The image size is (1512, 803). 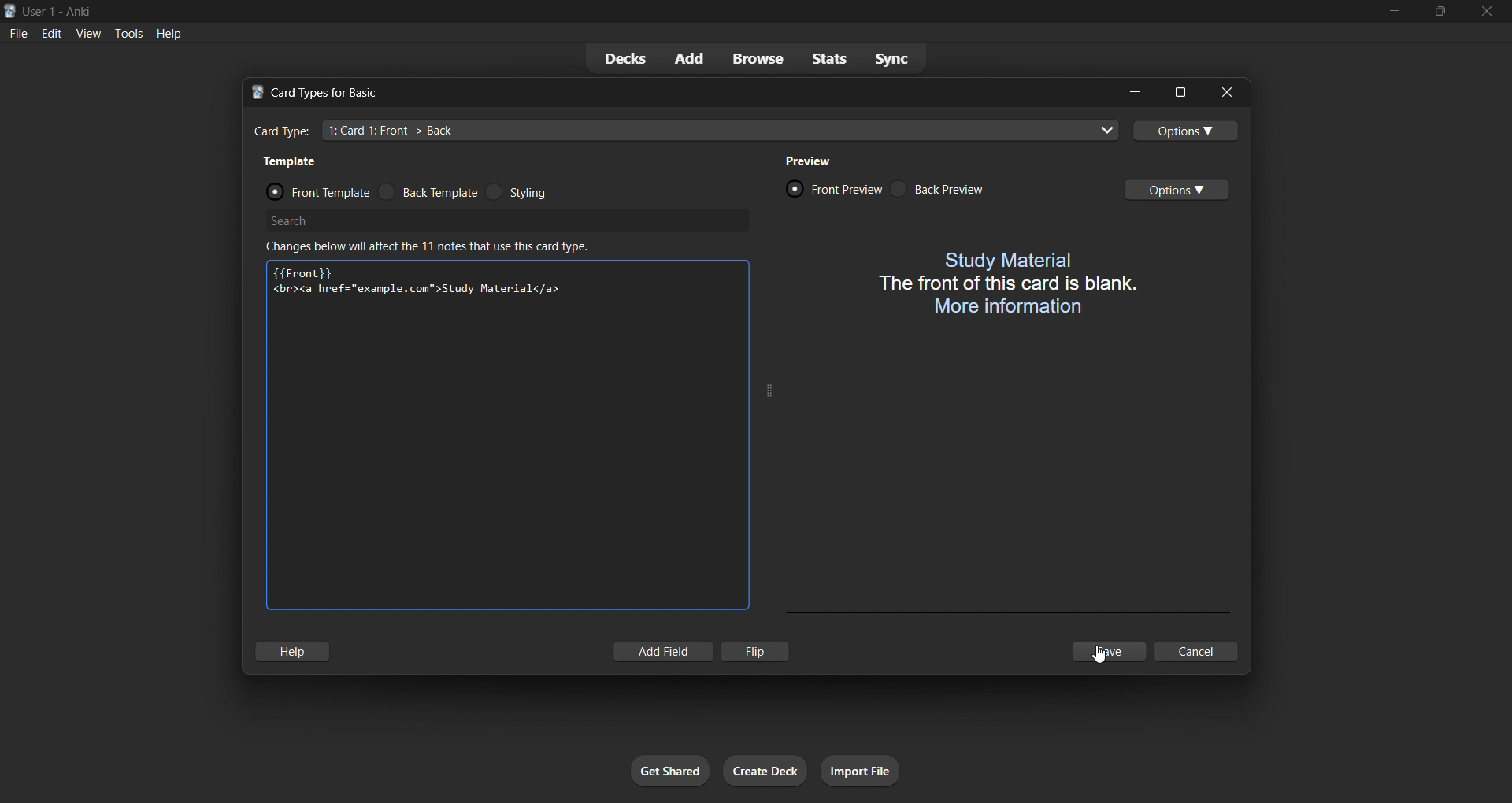 I want to click on changes below will affect the 11  notes that use this card type., so click(x=433, y=246).